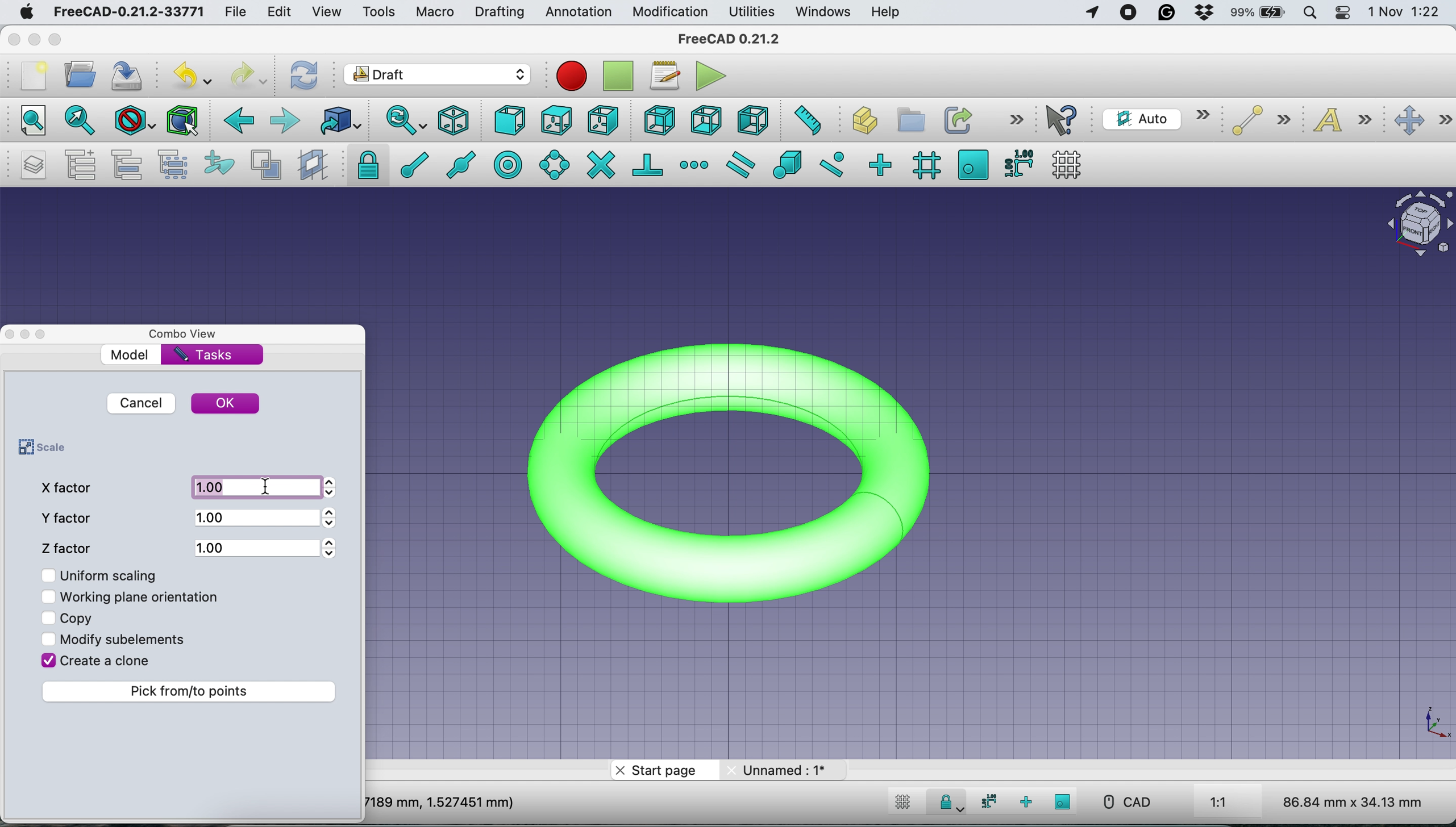 This screenshot has height=827, width=1456. Describe the element at coordinates (326, 13) in the screenshot. I see `view` at that location.